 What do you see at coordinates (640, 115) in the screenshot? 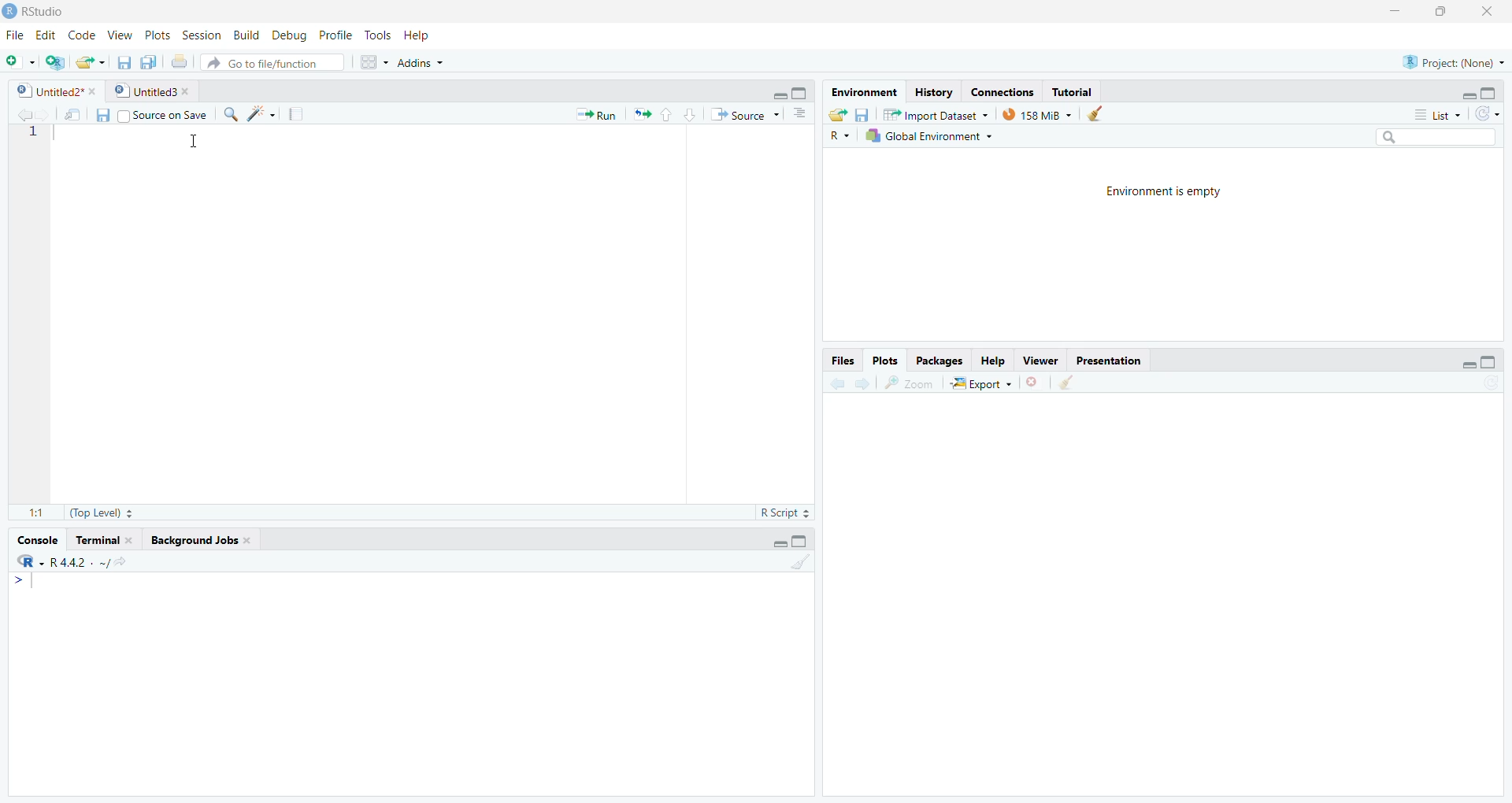
I see `rerun the previous code` at bounding box center [640, 115].